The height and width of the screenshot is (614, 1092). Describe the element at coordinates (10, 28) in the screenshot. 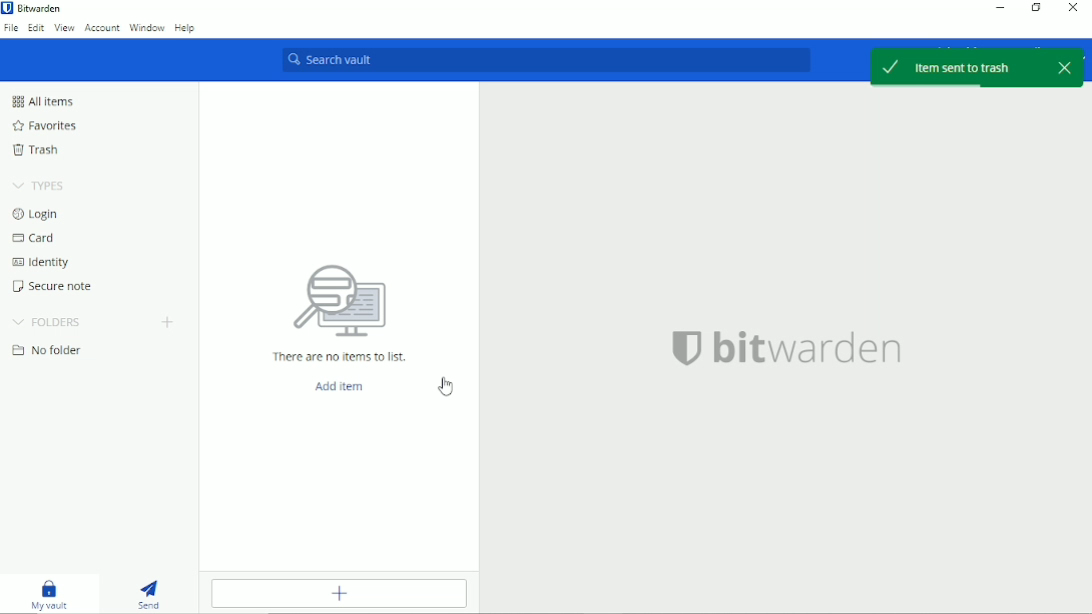

I see `File` at that location.